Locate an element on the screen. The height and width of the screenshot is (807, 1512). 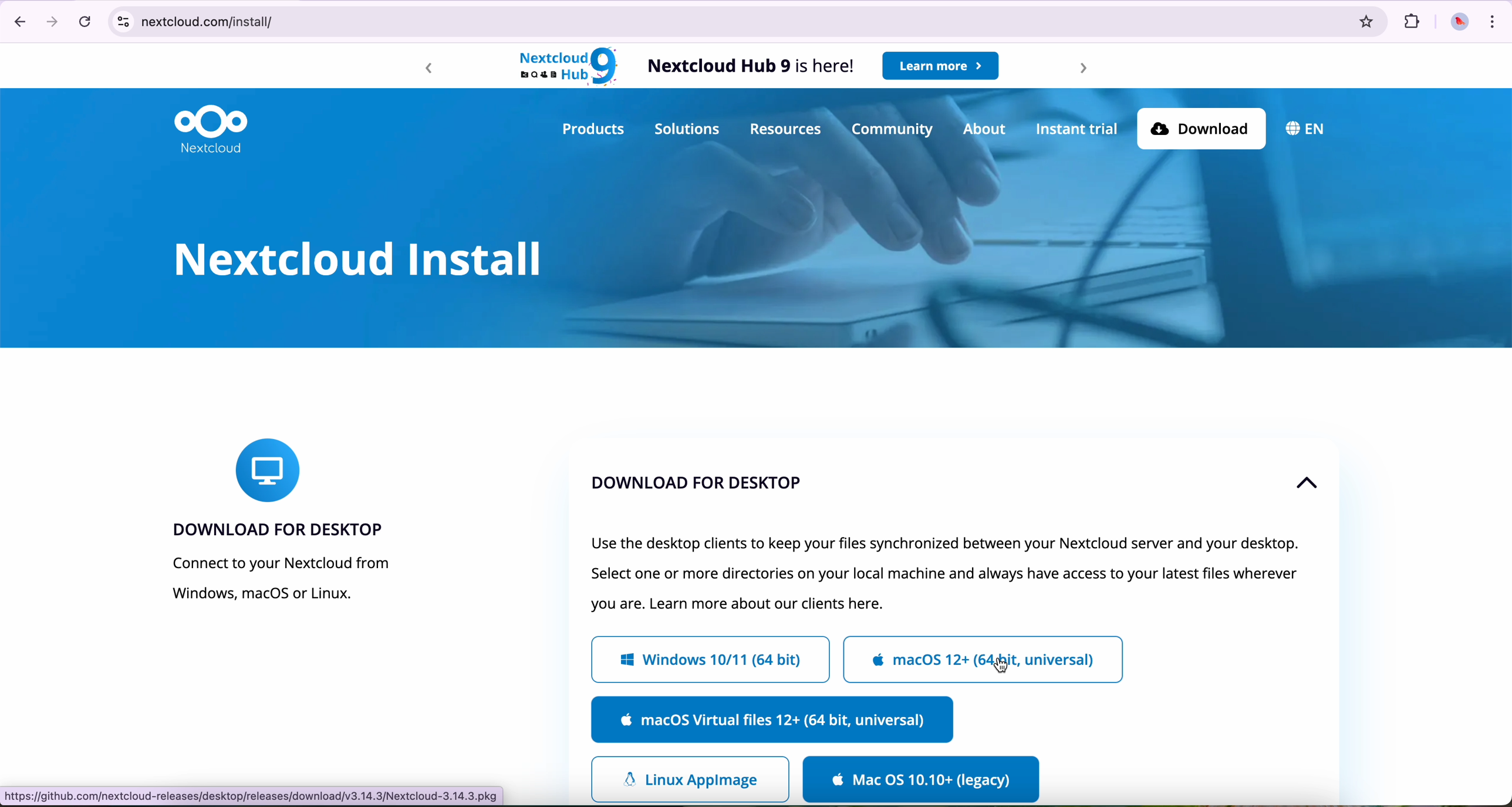
products is located at coordinates (592, 130).